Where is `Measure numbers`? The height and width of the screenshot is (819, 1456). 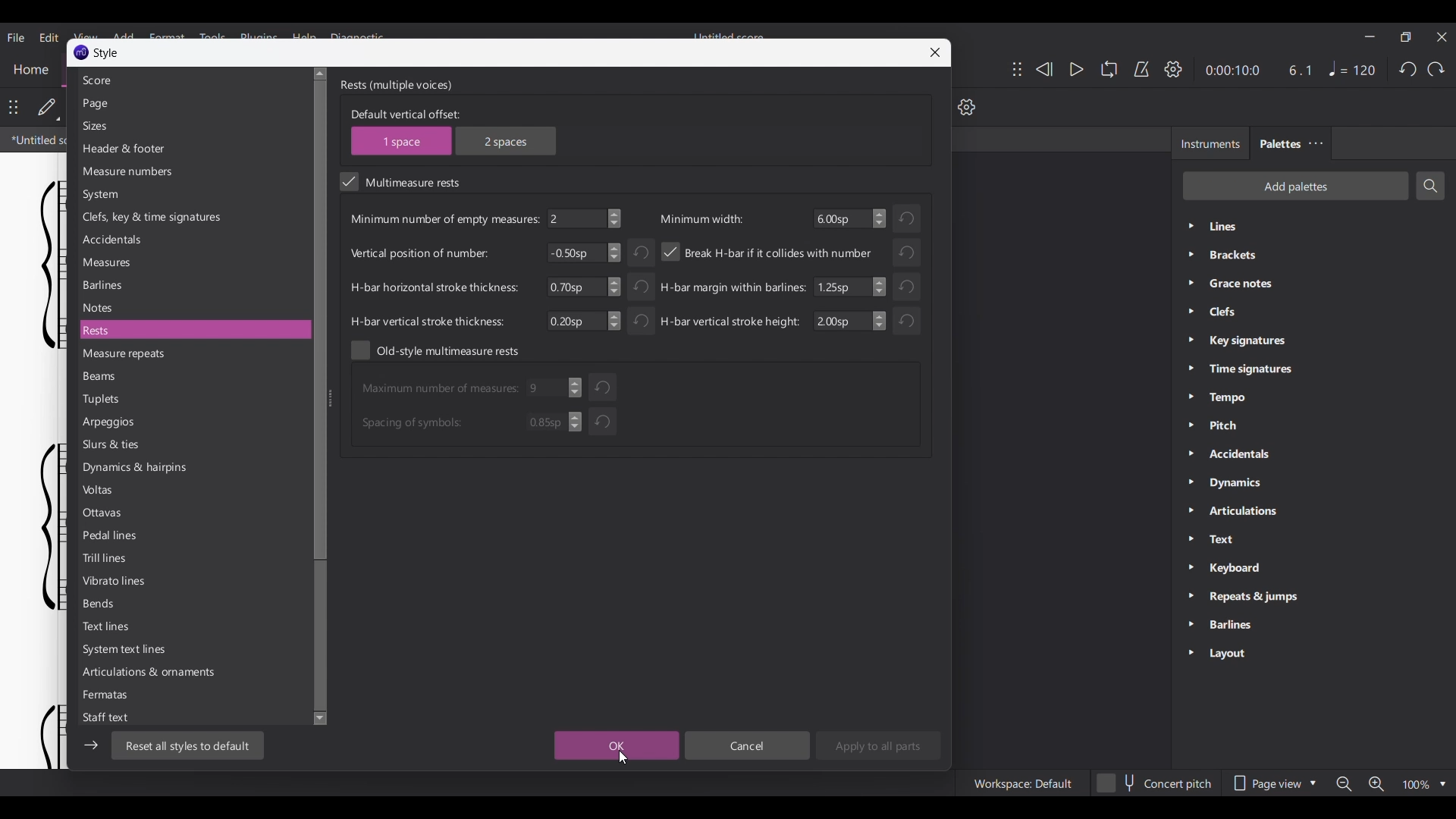 Measure numbers is located at coordinates (193, 172).